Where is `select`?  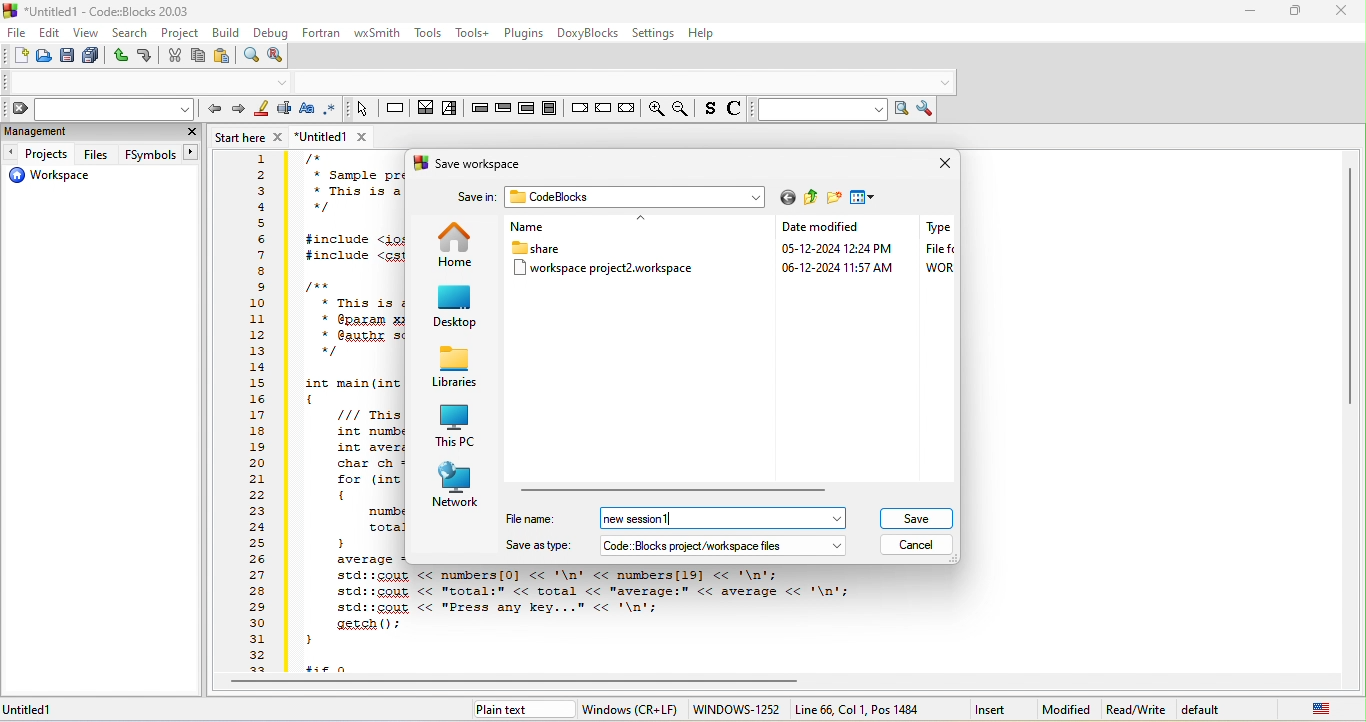
select is located at coordinates (361, 110).